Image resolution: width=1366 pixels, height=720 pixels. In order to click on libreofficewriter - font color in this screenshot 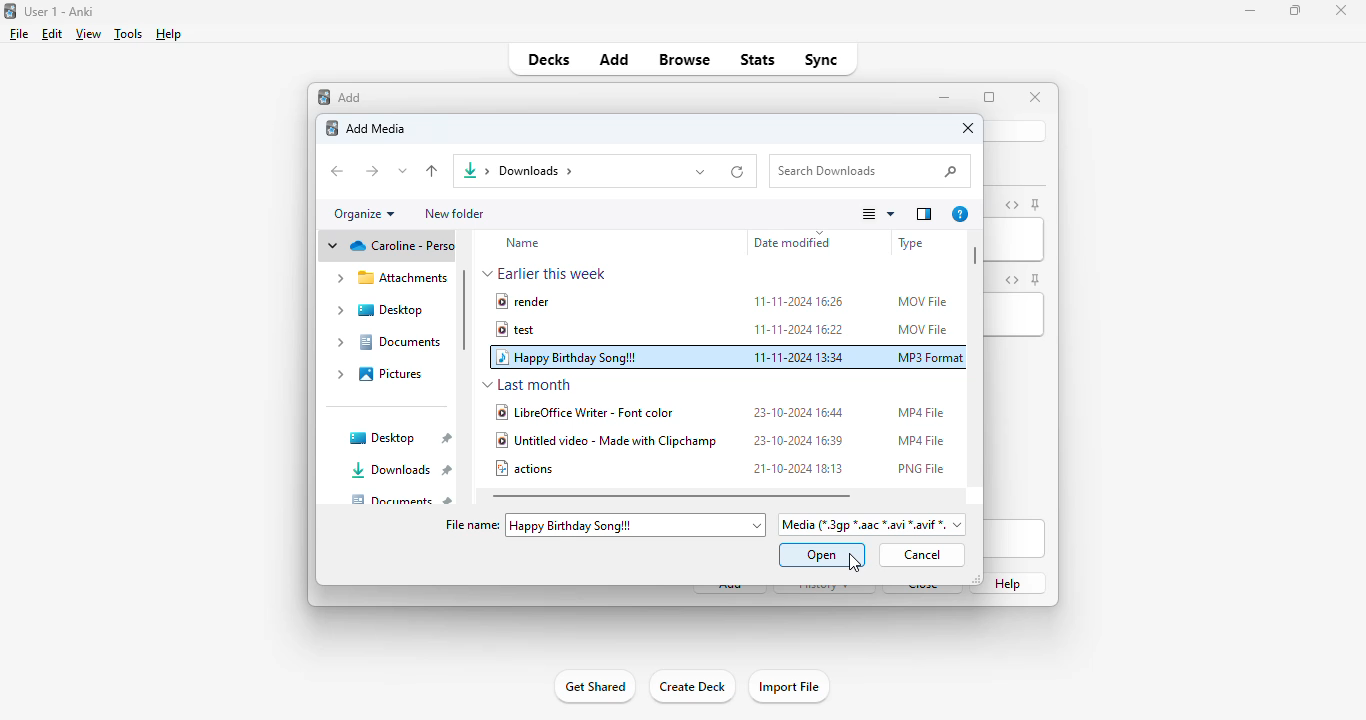, I will do `click(584, 412)`.